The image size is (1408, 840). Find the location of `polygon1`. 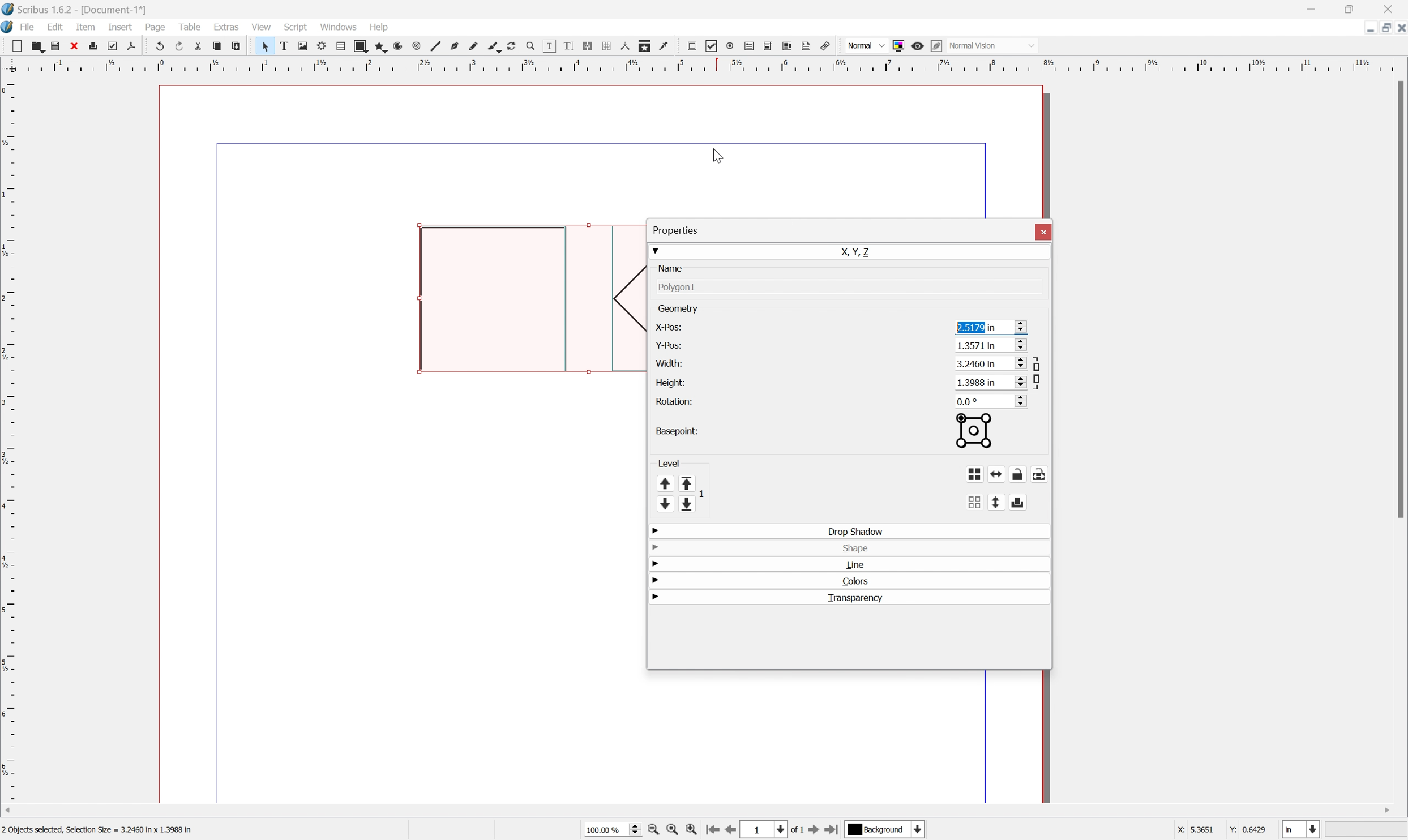

polygon1 is located at coordinates (679, 289).